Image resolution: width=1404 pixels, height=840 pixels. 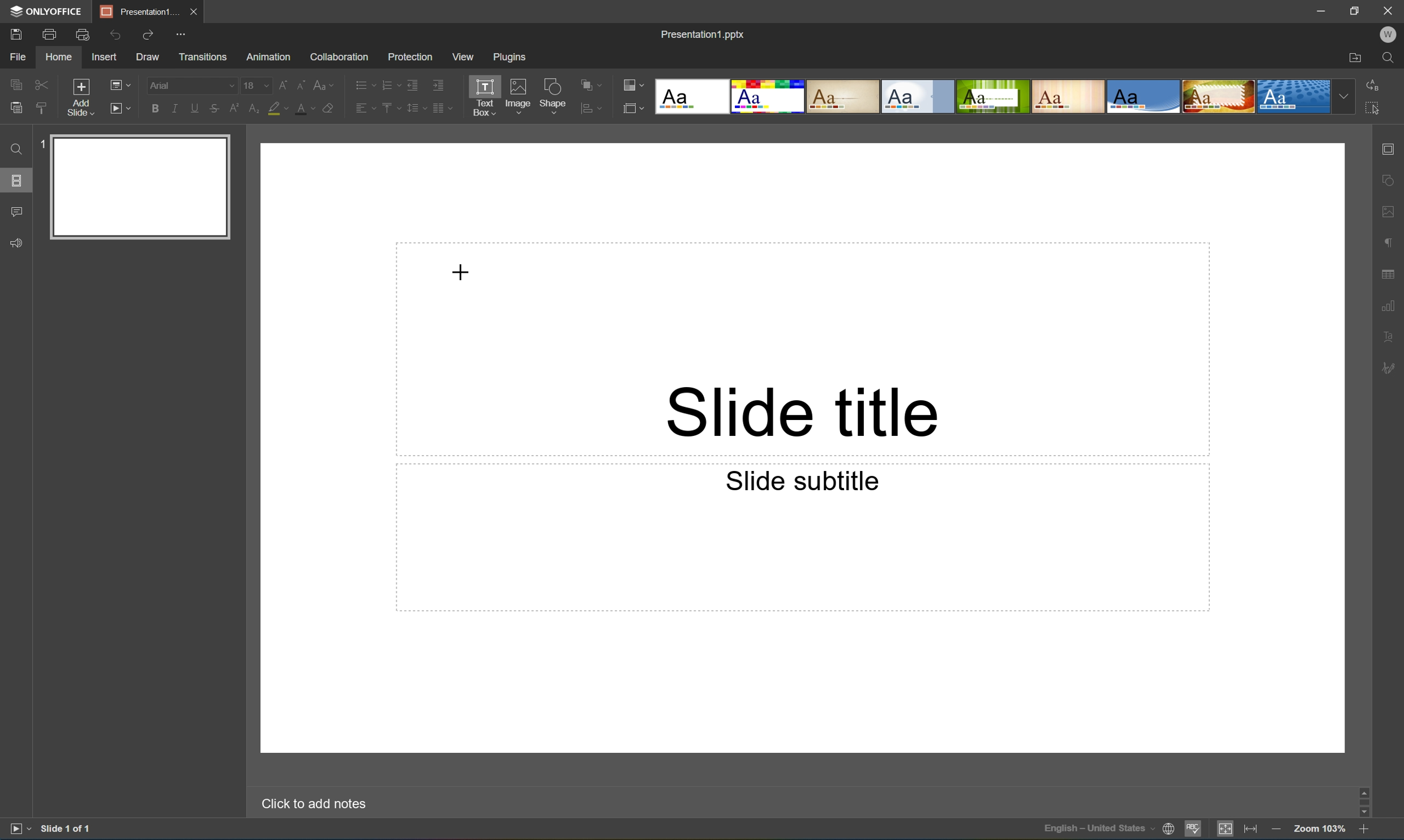 What do you see at coordinates (257, 85) in the screenshot?
I see `18` at bounding box center [257, 85].